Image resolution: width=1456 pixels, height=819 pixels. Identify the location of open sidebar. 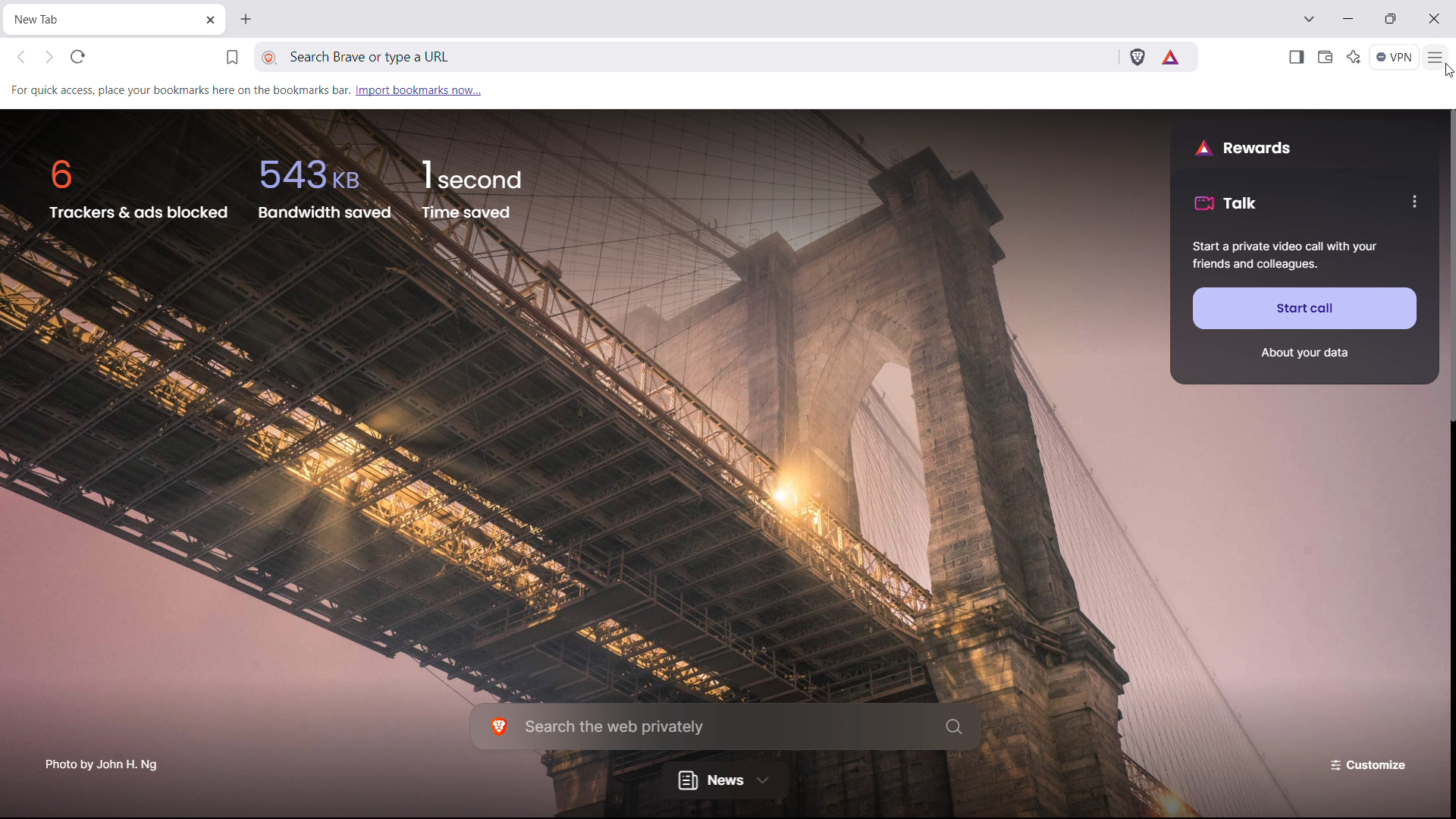
(1296, 57).